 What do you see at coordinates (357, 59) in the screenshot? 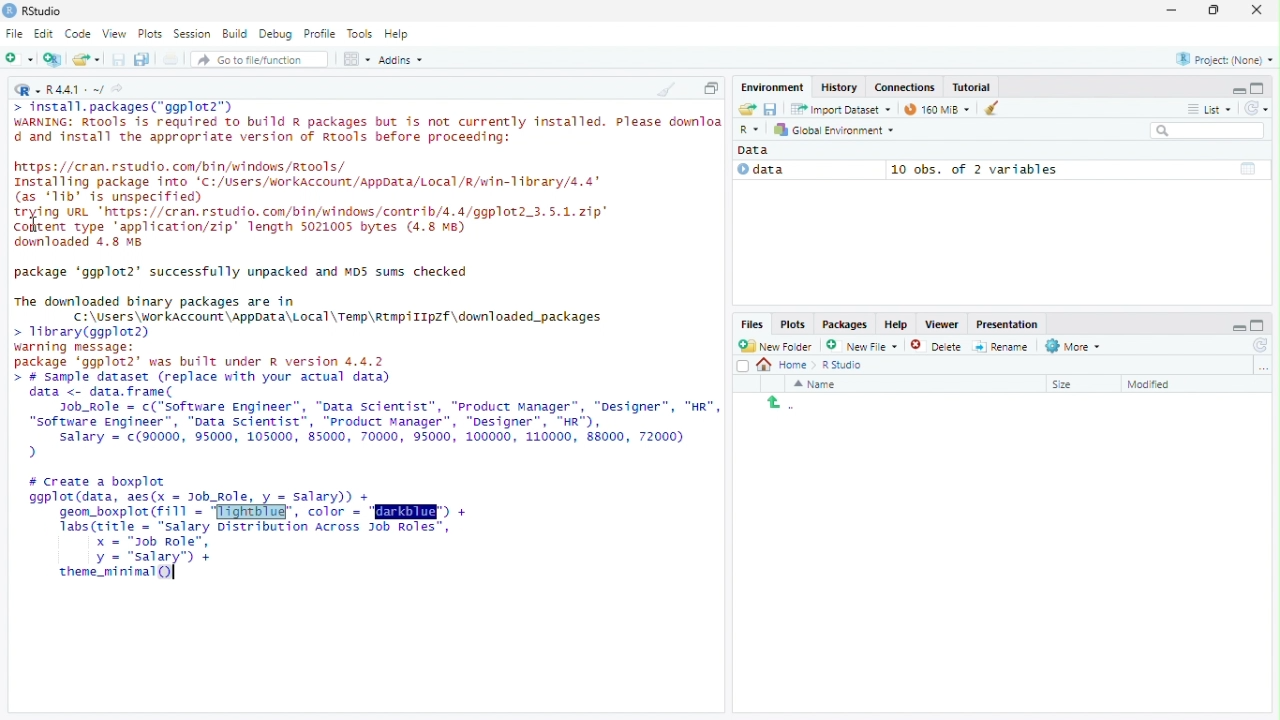
I see `workspace panes` at bounding box center [357, 59].